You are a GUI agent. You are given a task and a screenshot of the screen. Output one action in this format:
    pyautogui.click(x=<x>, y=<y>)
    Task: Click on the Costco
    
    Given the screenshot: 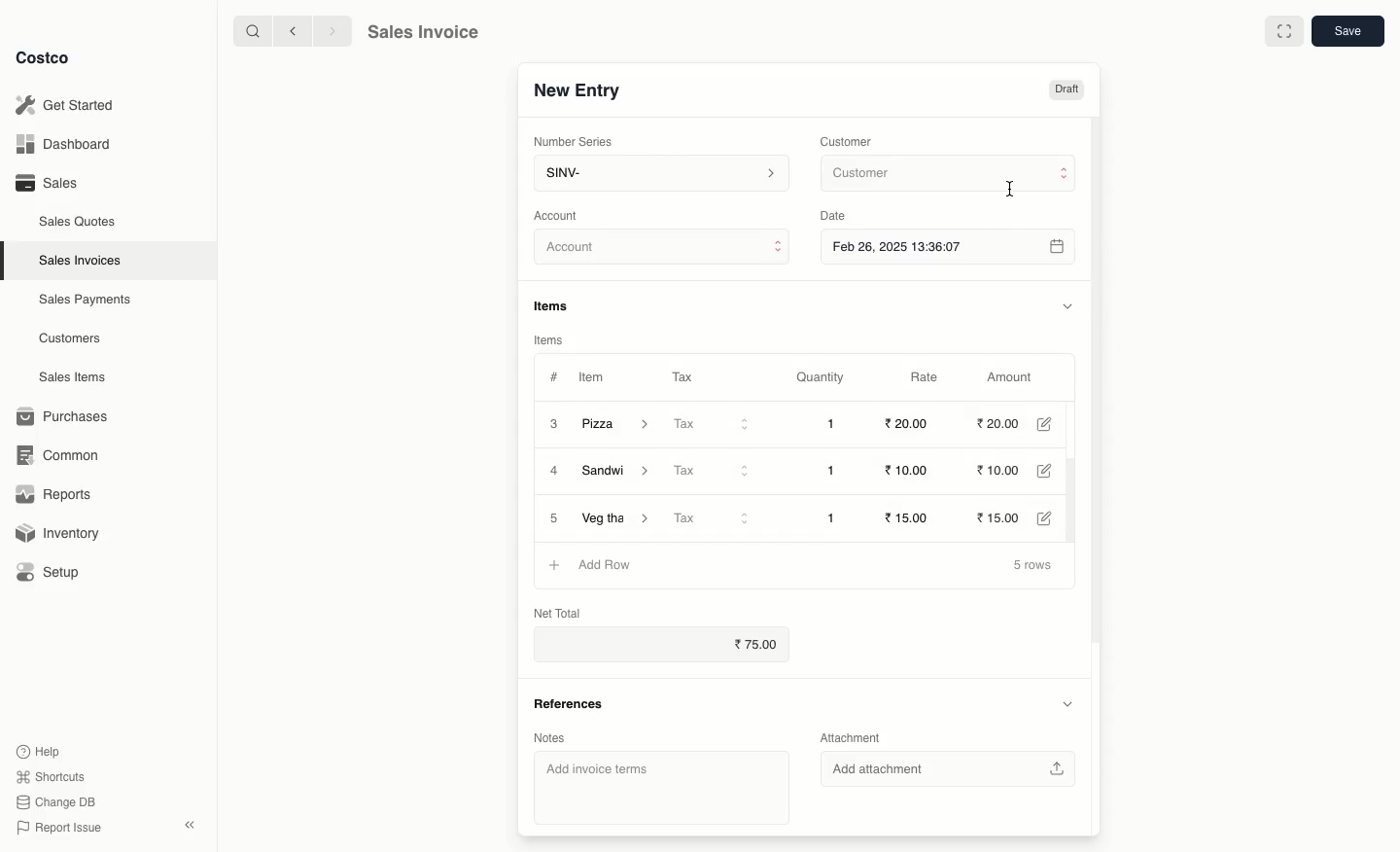 What is the action you would take?
    pyautogui.click(x=48, y=58)
    